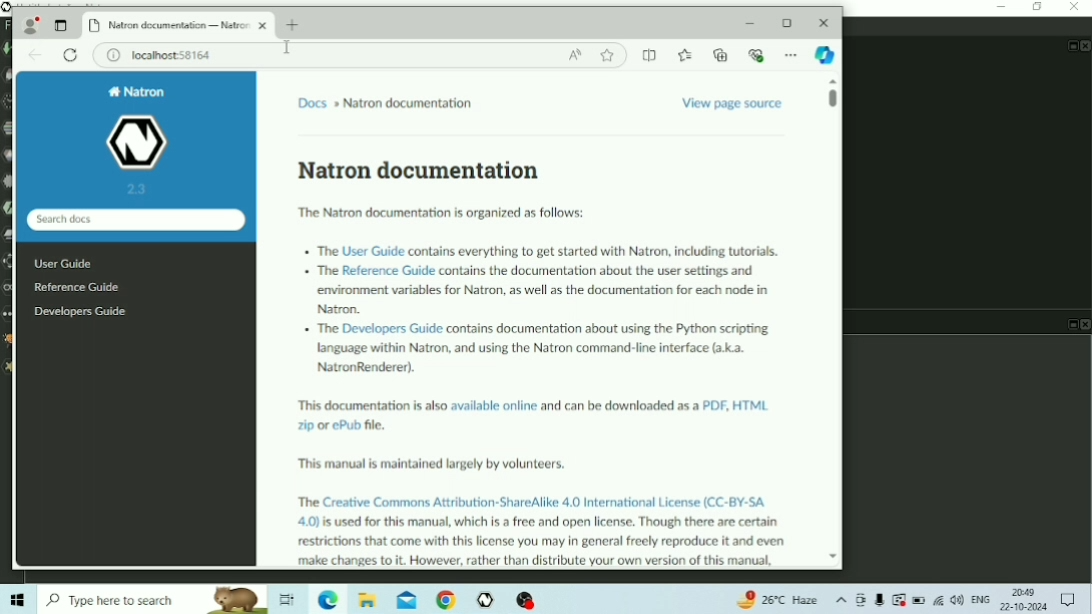 This screenshot has width=1092, height=614. What do you see at coordinates (31, 25) in the screenshot?
I see `Account` at bounding box center [31, 25].